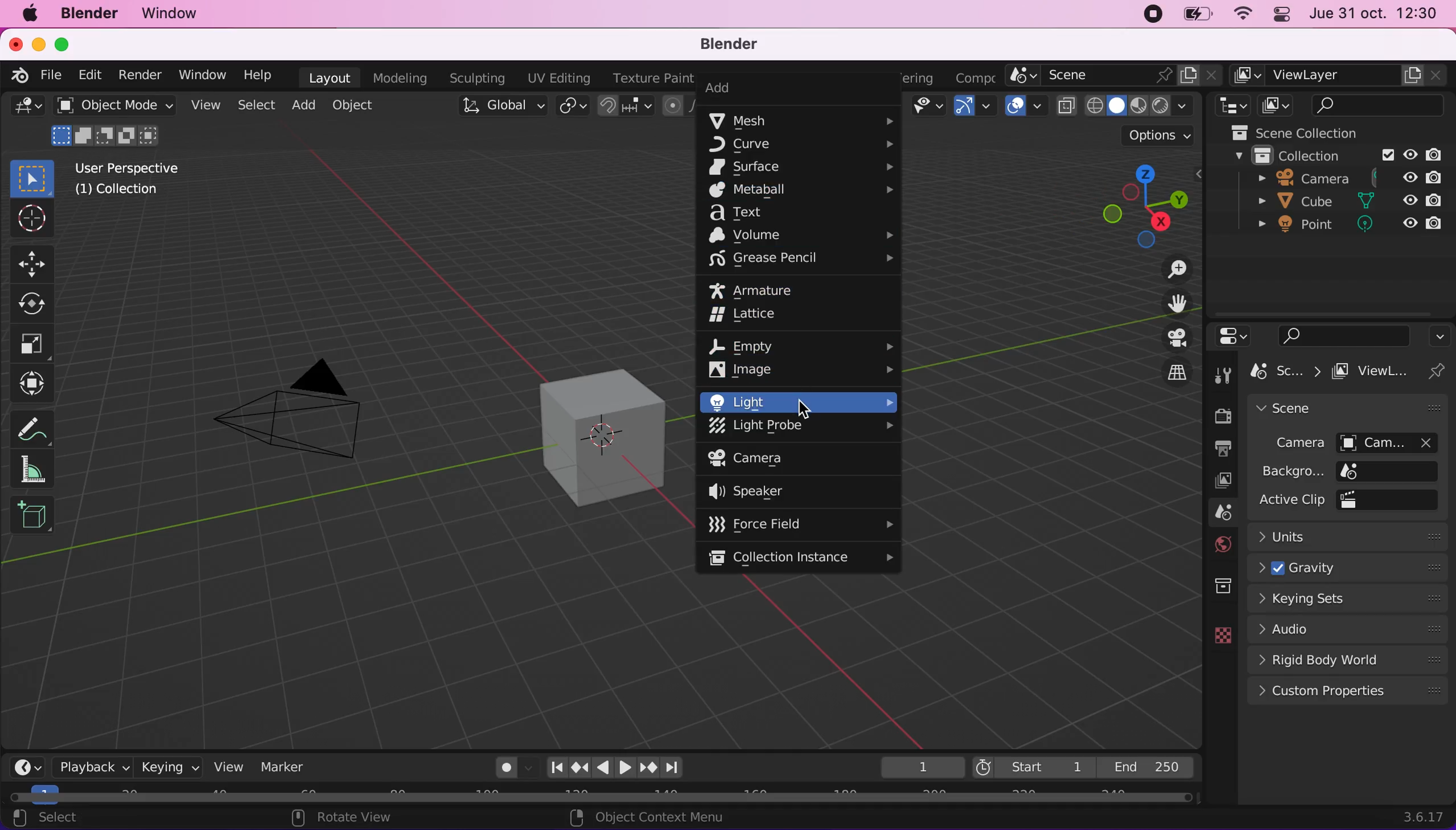 This screenshot has width=1456, height=830. Describe the element at coordinates (601, 796) in the screenshot. I see `horizontal slider` at that location.